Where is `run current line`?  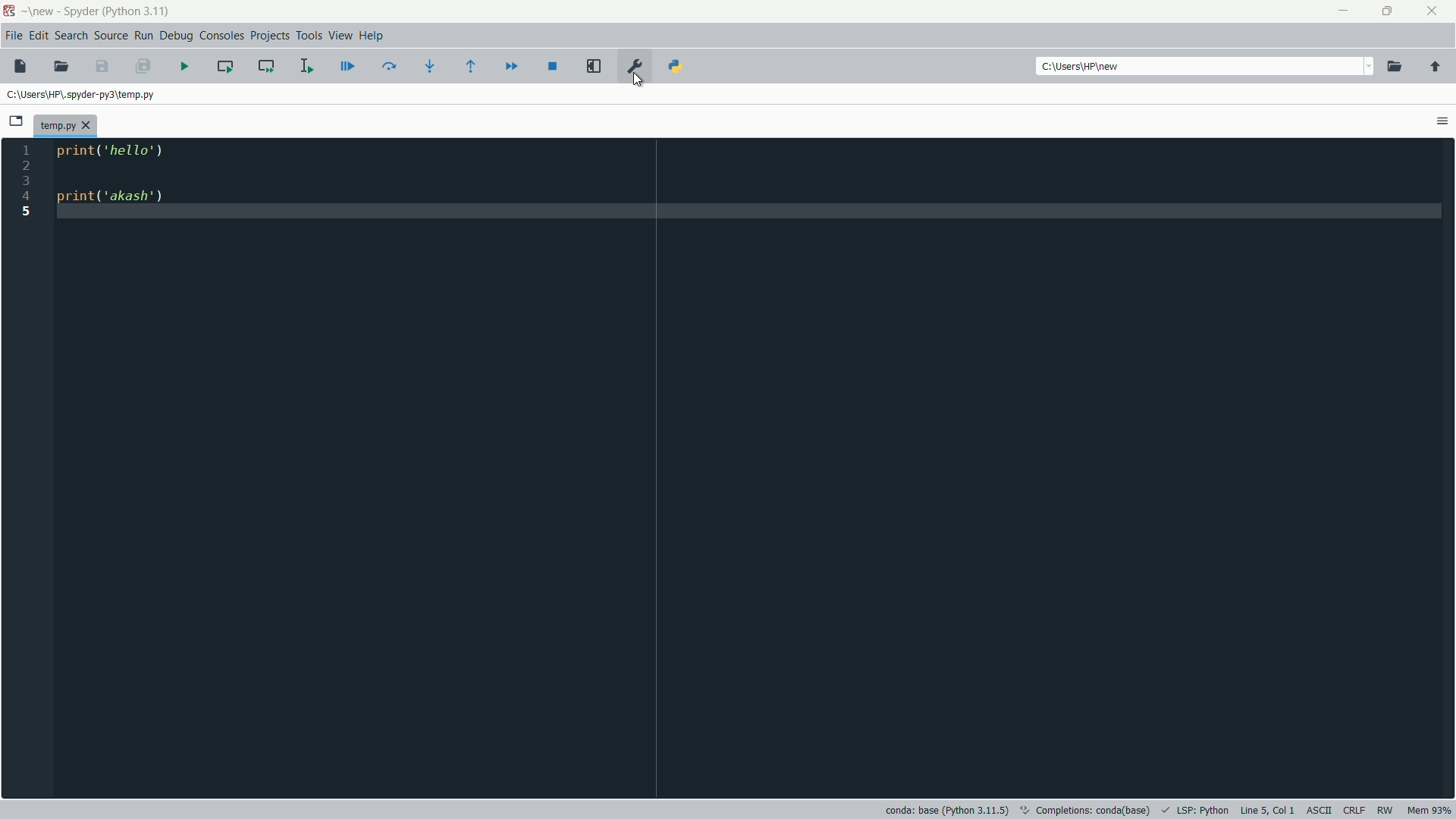
run current line is located at coordinates (390, 66).